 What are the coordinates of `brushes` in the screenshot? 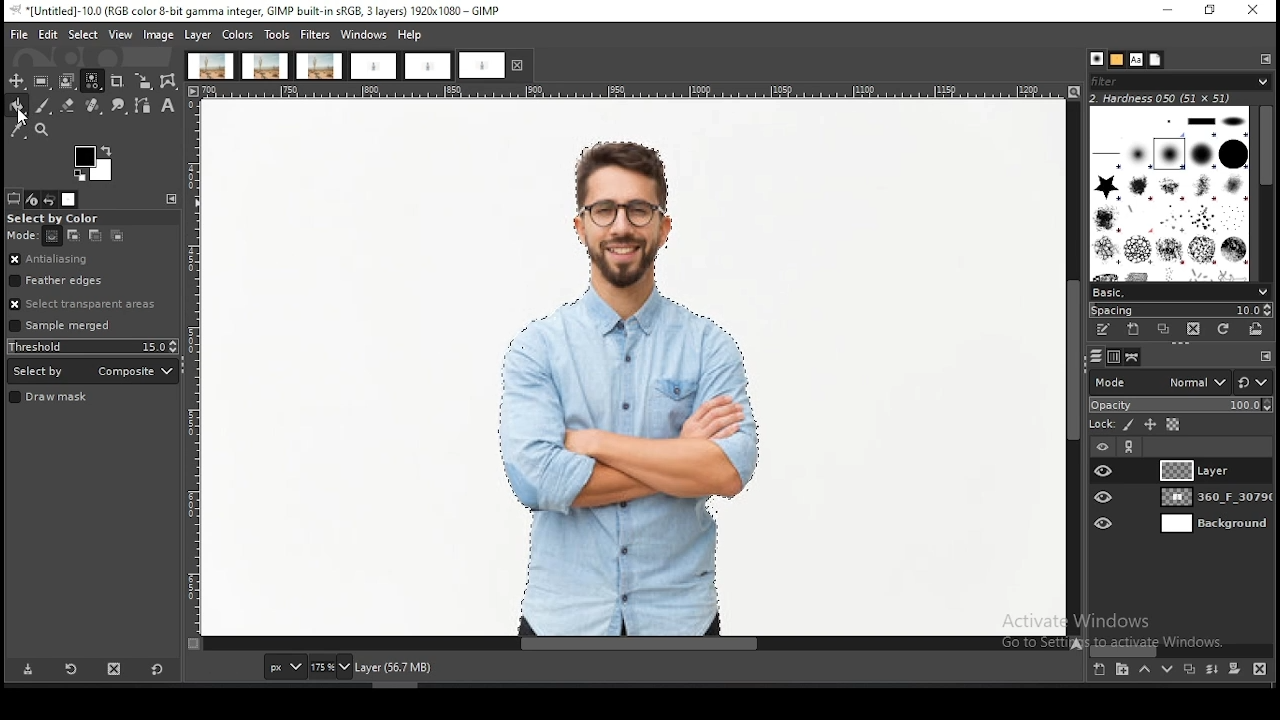 It's located at (1171, 193).